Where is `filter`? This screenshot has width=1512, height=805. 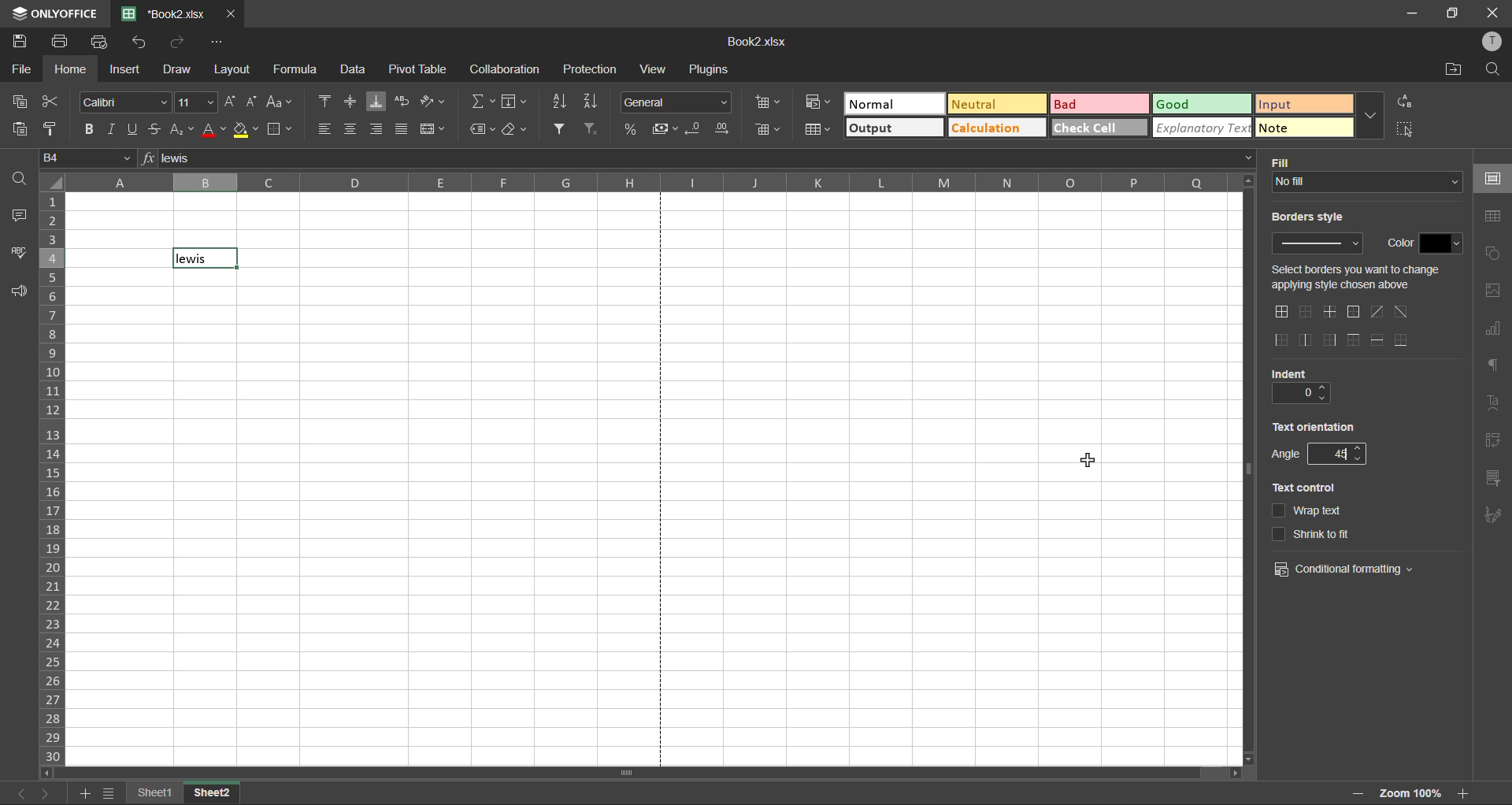
filter is located at coordinates (560, 129).